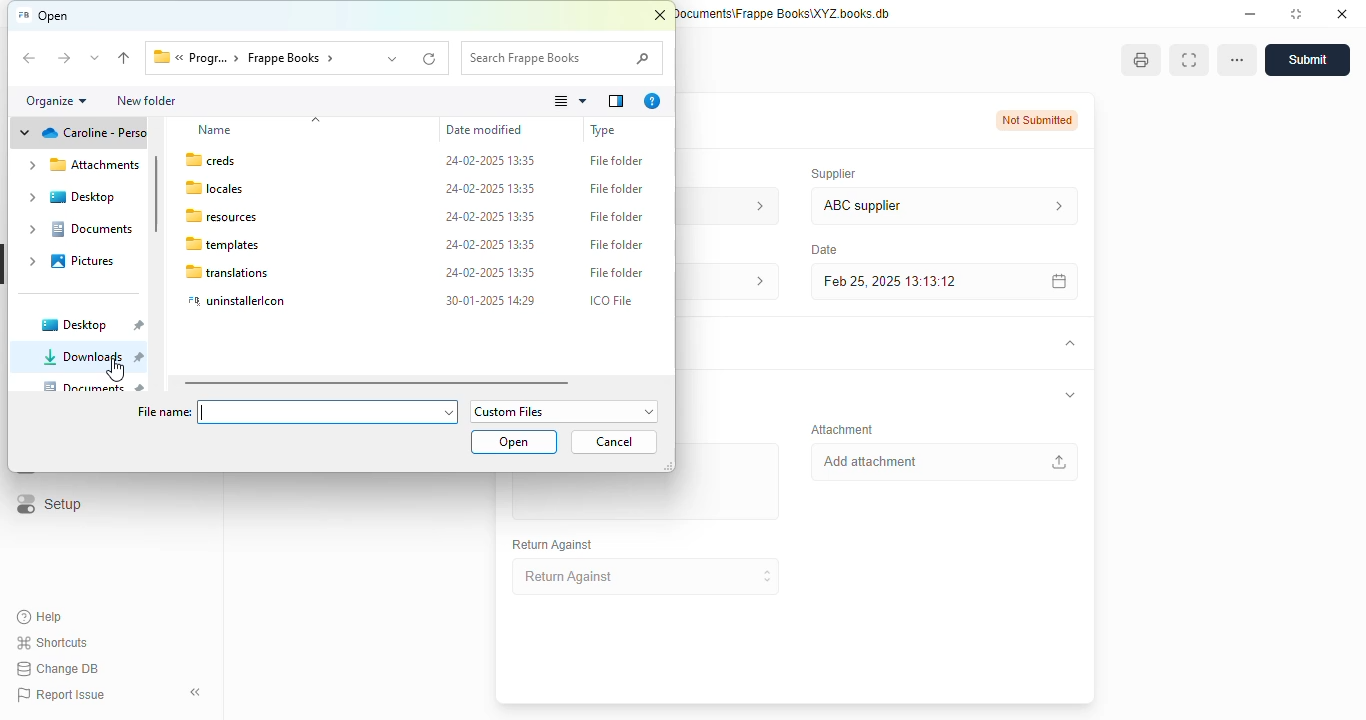 This screenshot has width=1366, height=720. What do you see at coordinates (491, 244) in the screenshot?
I see `24-02-2025 13:35` at bounding box center [491, 244].